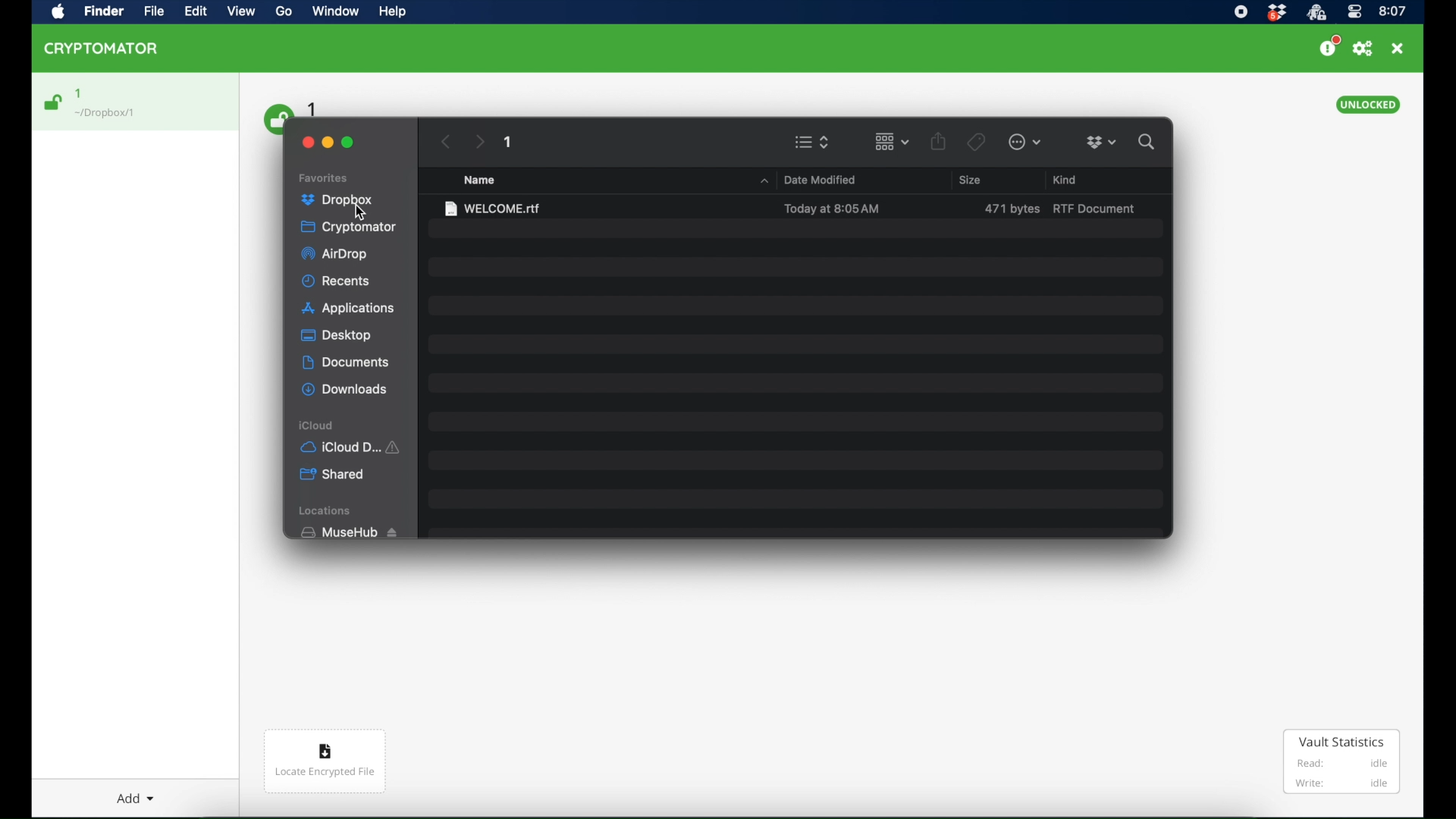 Image resolution: width=1456 pixels, height=819 pixels. I want to click on close, so click(305, 140).